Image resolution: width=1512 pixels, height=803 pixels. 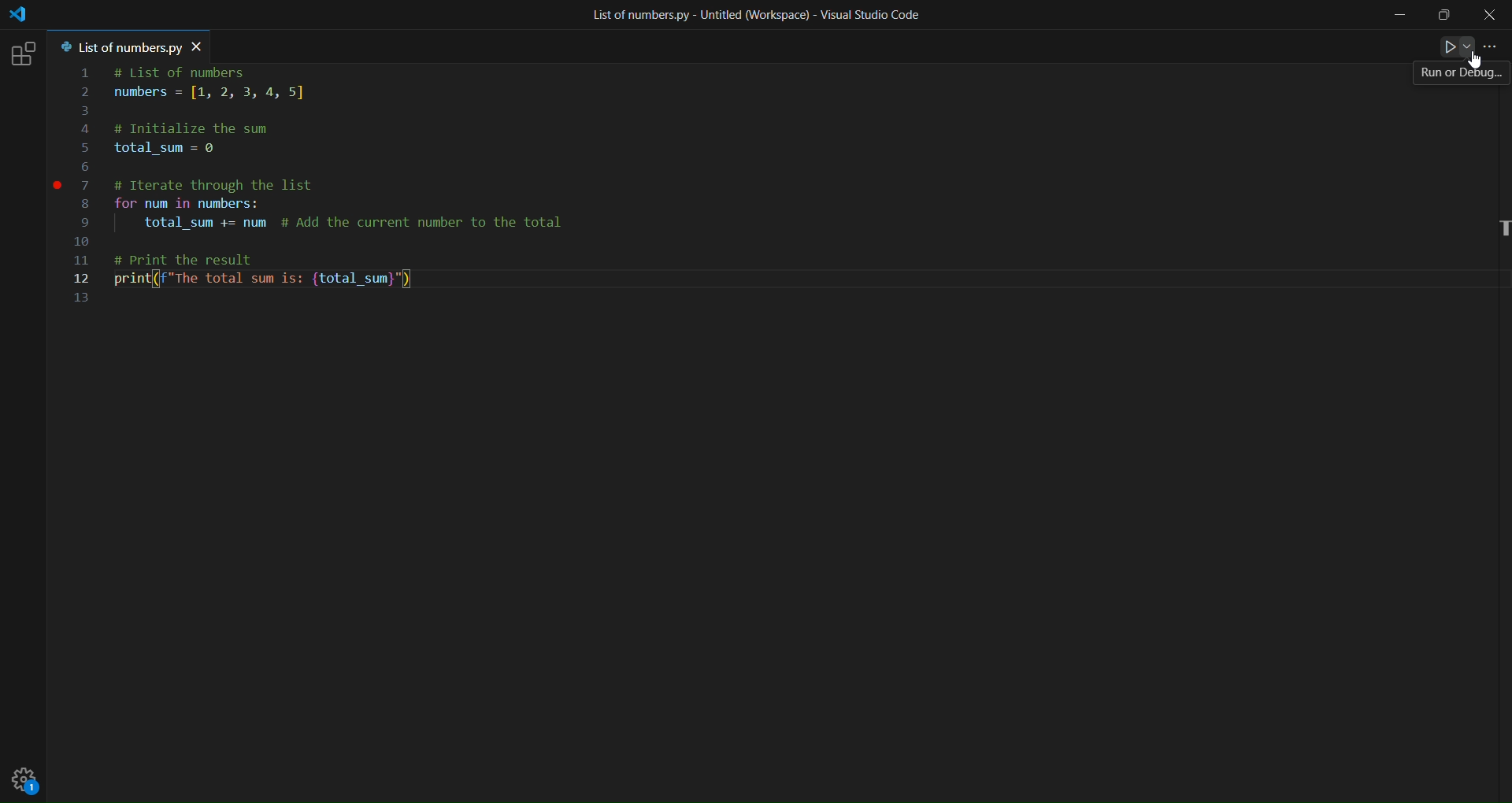 What do you see at coordinates (117, 47) in the screenshot?
I see `tab name` at bounding box center [117, 47].